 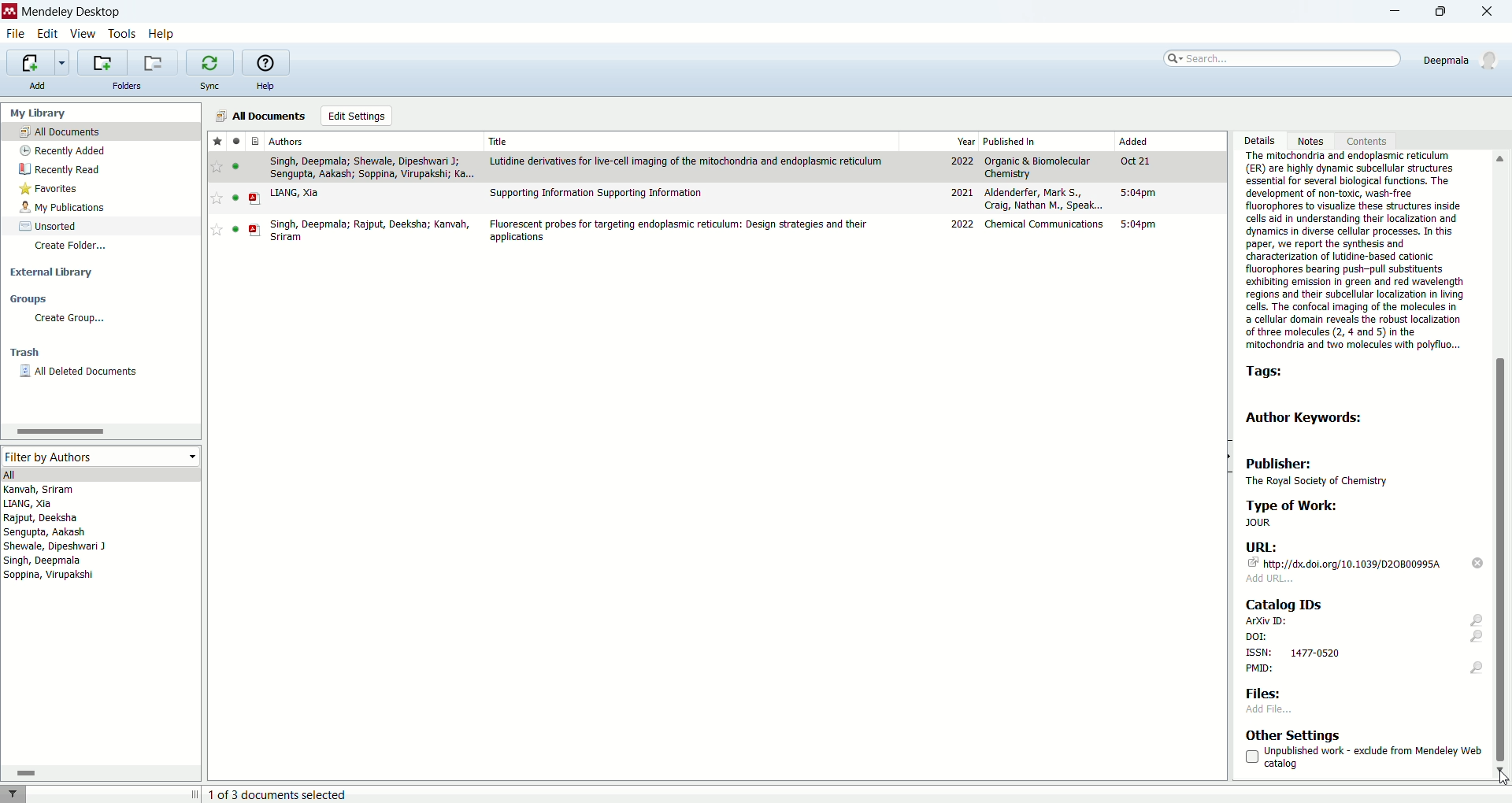 What do you see at coordinates (28, 298) in the screenshot?
I see `groups` at bounding box center [28, 298].